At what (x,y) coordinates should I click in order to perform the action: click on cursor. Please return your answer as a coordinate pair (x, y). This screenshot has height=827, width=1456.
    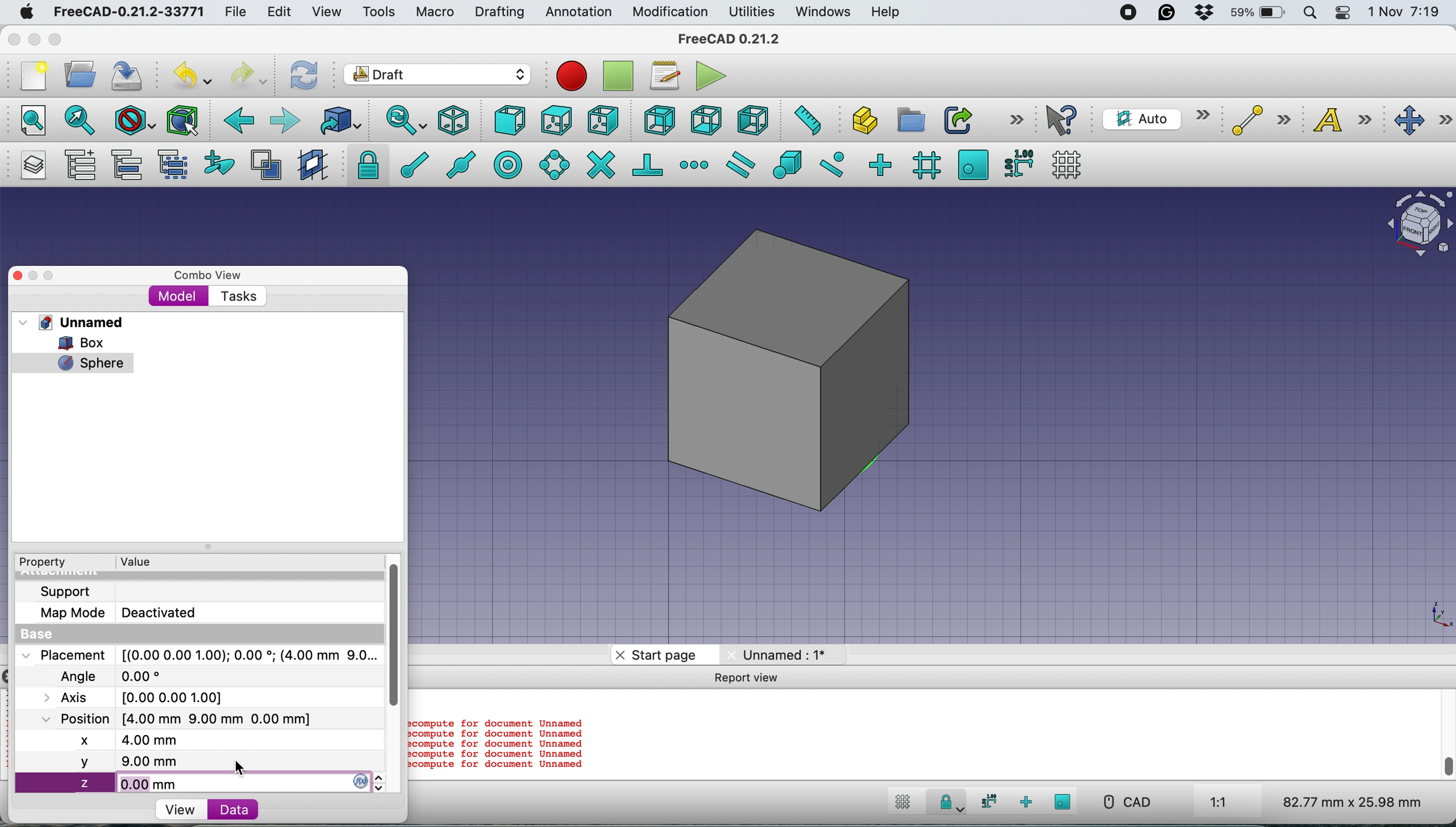
    Looking at the image, I should click on (239, 766).